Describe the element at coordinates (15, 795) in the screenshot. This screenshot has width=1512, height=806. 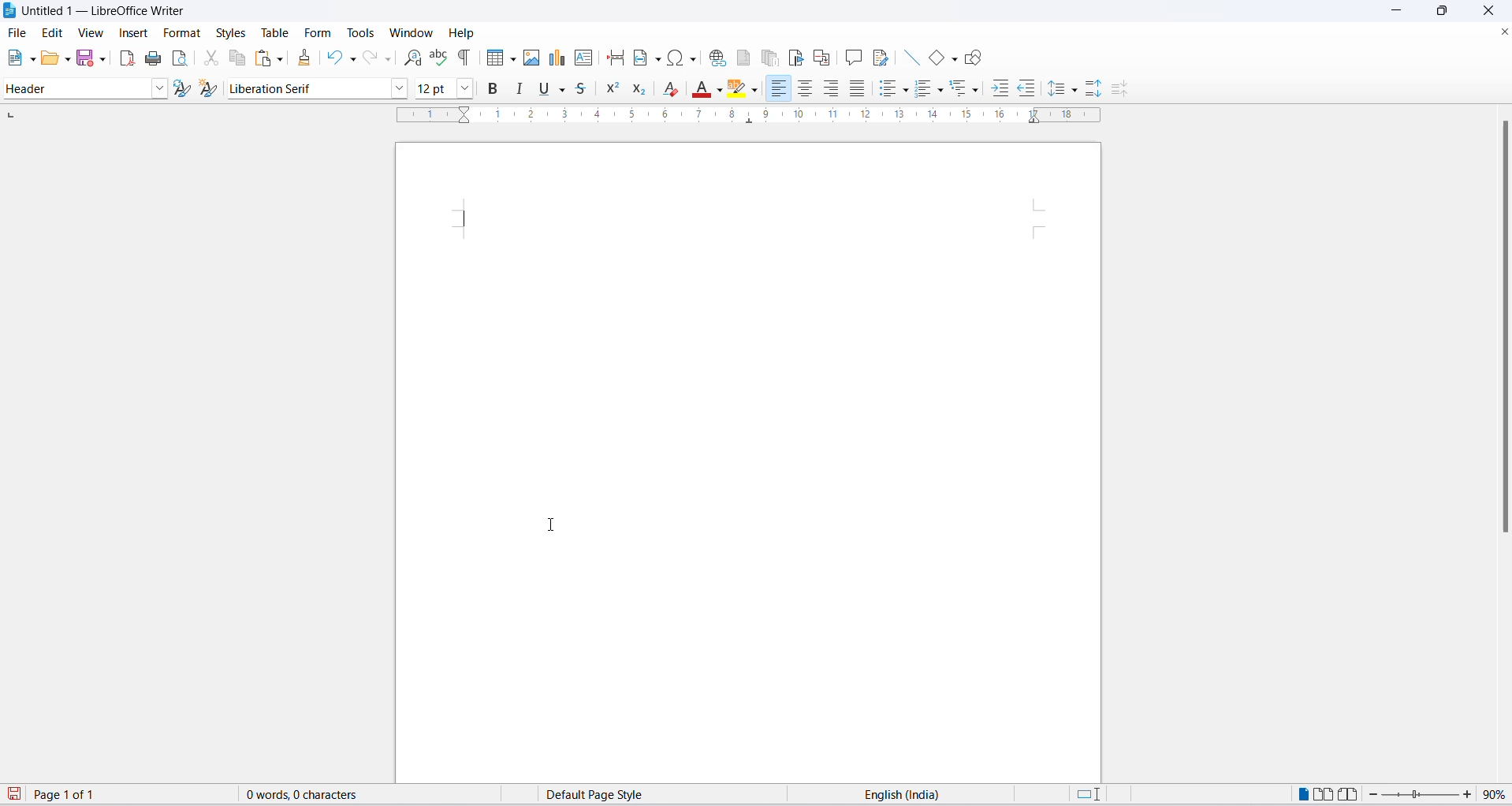
I see `save` at that location.